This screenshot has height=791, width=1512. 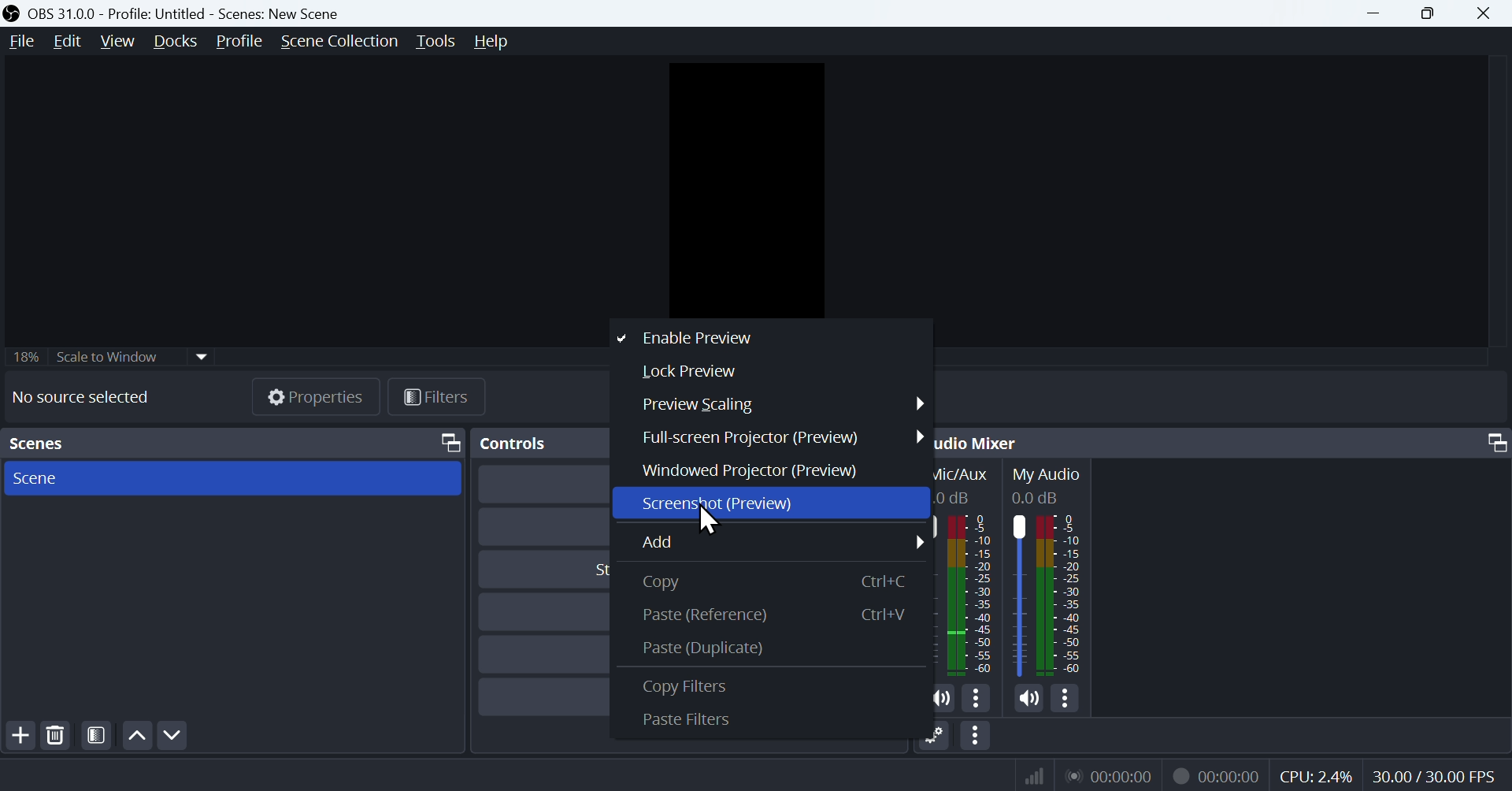 What do you see at coordinates (768, 473) in the screenshot?
I see `Windowed projector` at bounding box center [768, 473].